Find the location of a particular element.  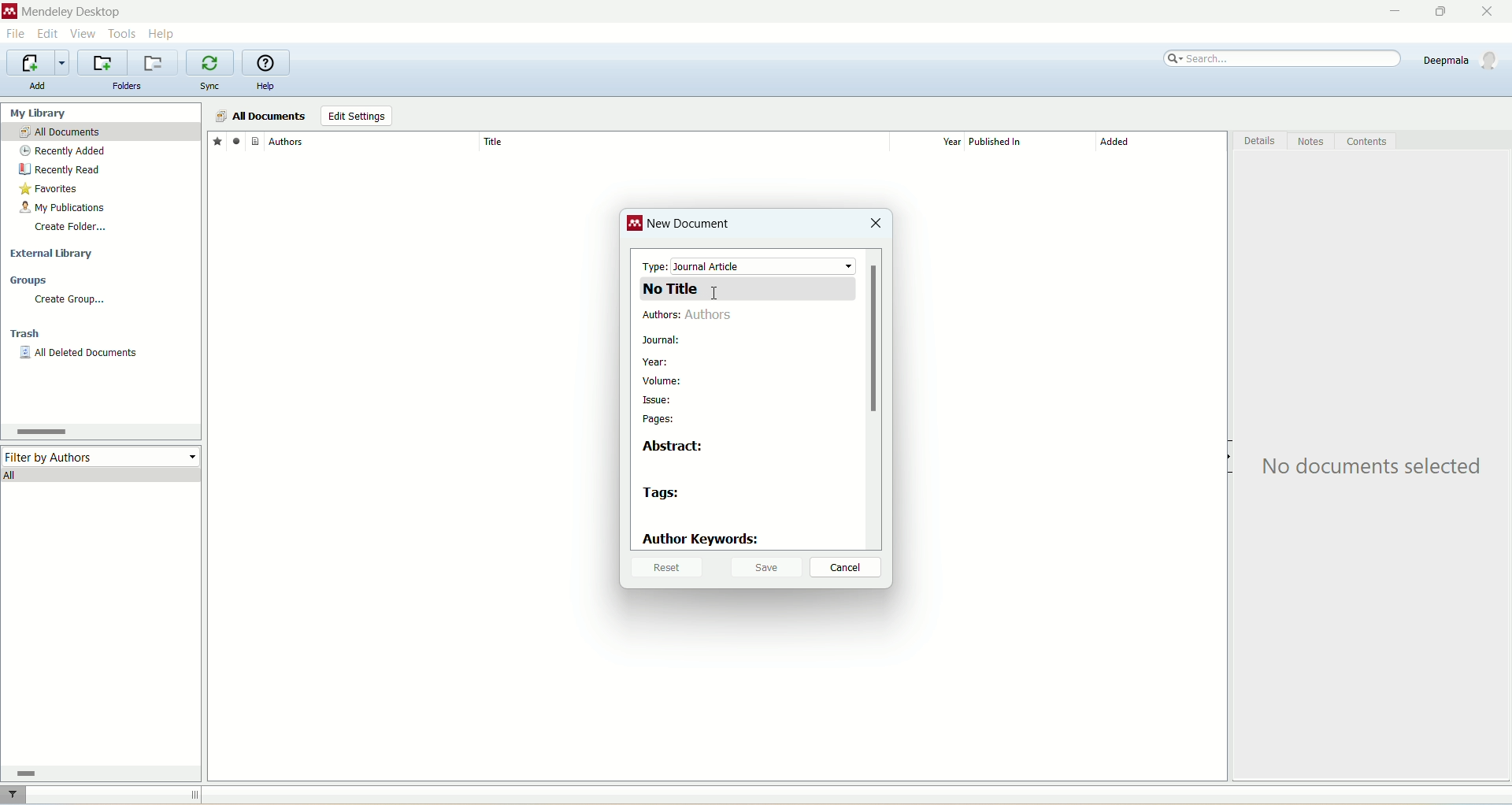

title is located at coordinates (683, 141).